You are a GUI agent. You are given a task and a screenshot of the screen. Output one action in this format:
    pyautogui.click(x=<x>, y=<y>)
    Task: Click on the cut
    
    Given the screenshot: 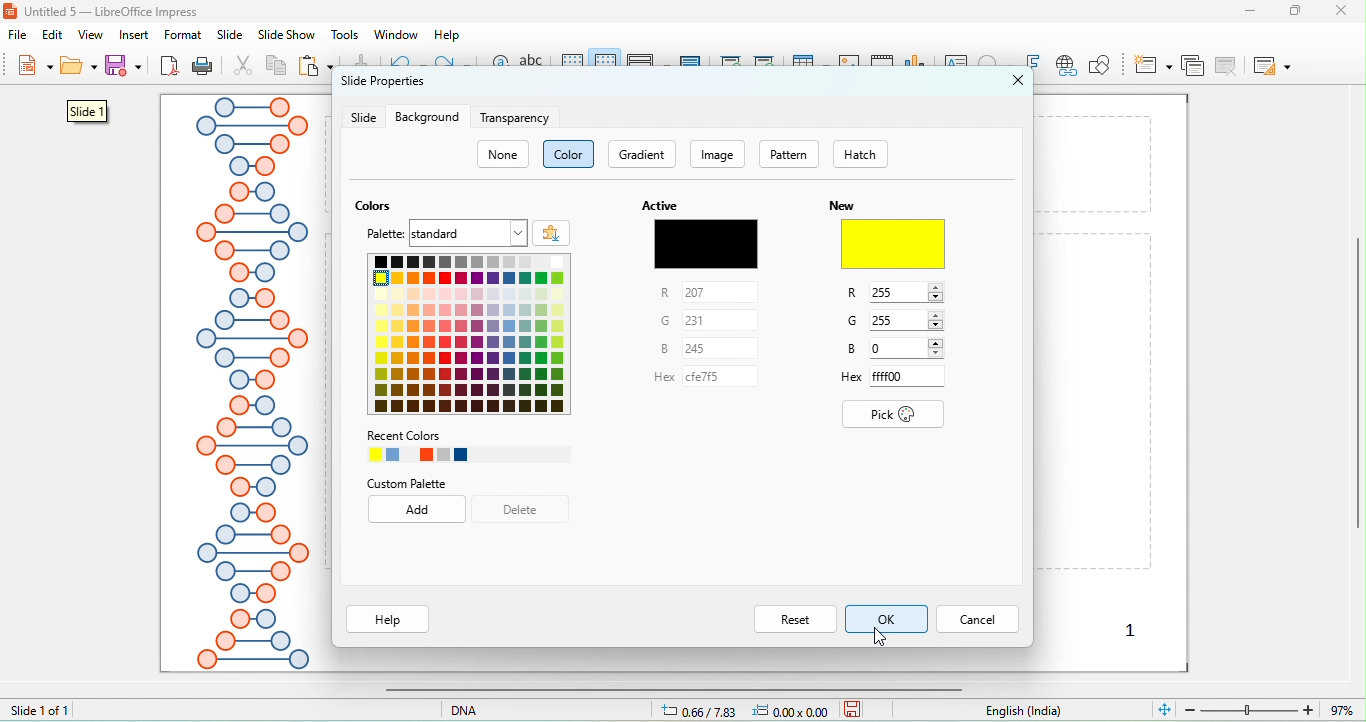 What is the action you would take?
    pyautogui.click(x=244, y=67)
    